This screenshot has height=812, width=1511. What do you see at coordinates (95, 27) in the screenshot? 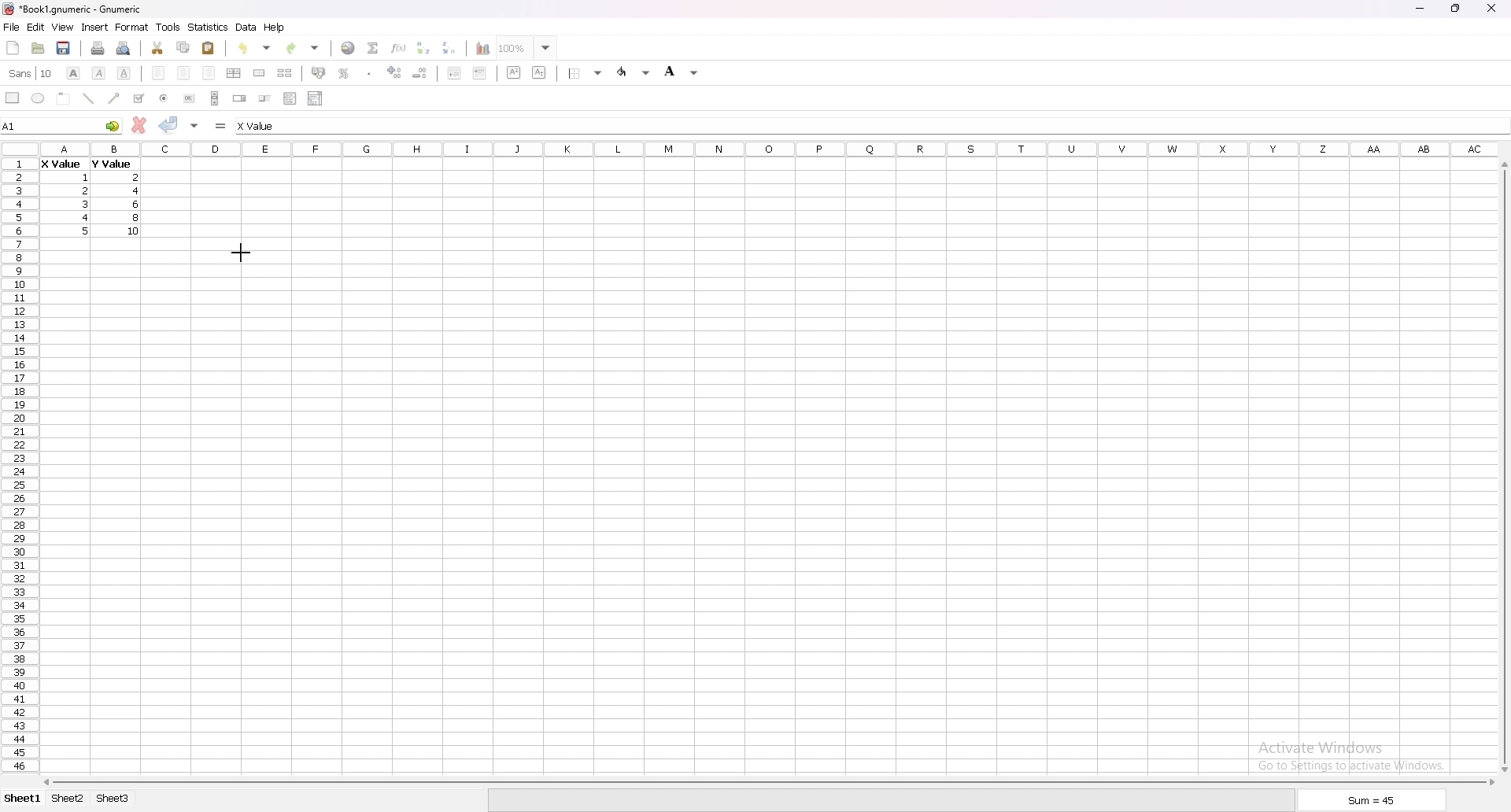
I see `insert` at bounding box center [95, 27].